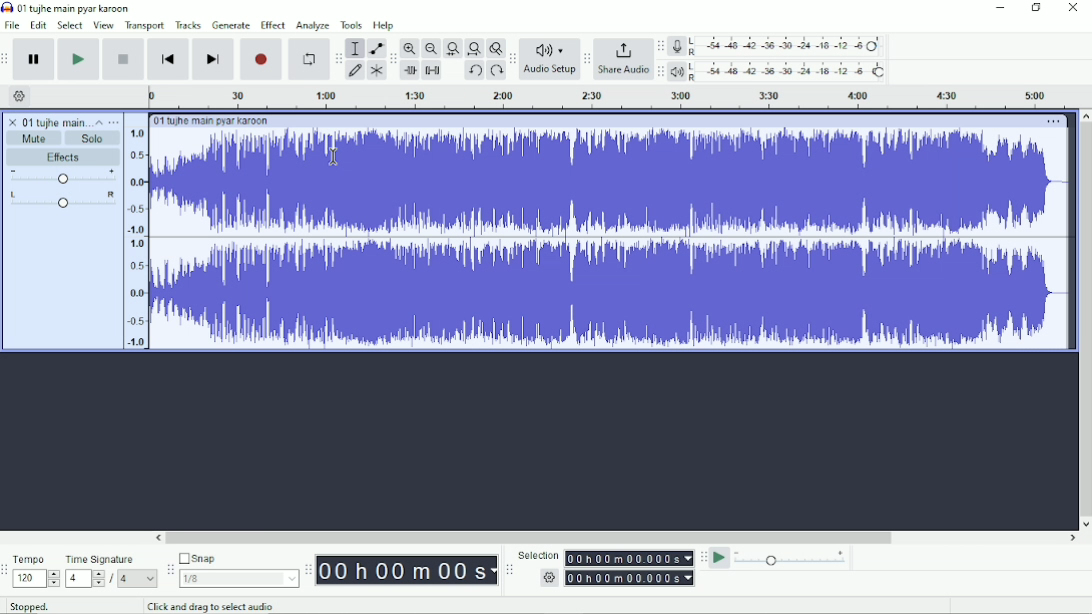  I want to click on Stopped, so click(30, 606).